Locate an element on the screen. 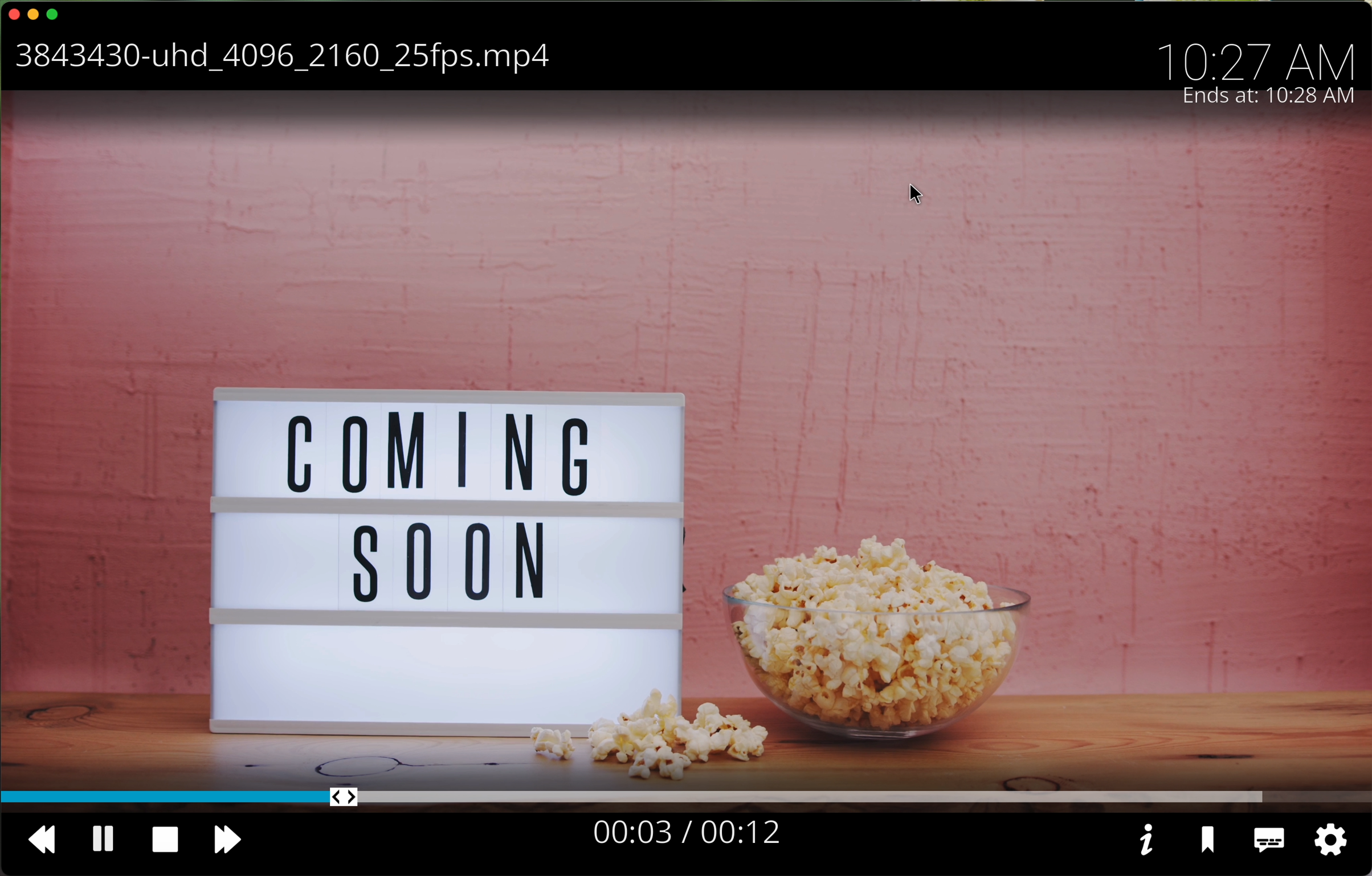 This screenshot has height=876, width=1372. hour is located at coordinates (1260, 58).